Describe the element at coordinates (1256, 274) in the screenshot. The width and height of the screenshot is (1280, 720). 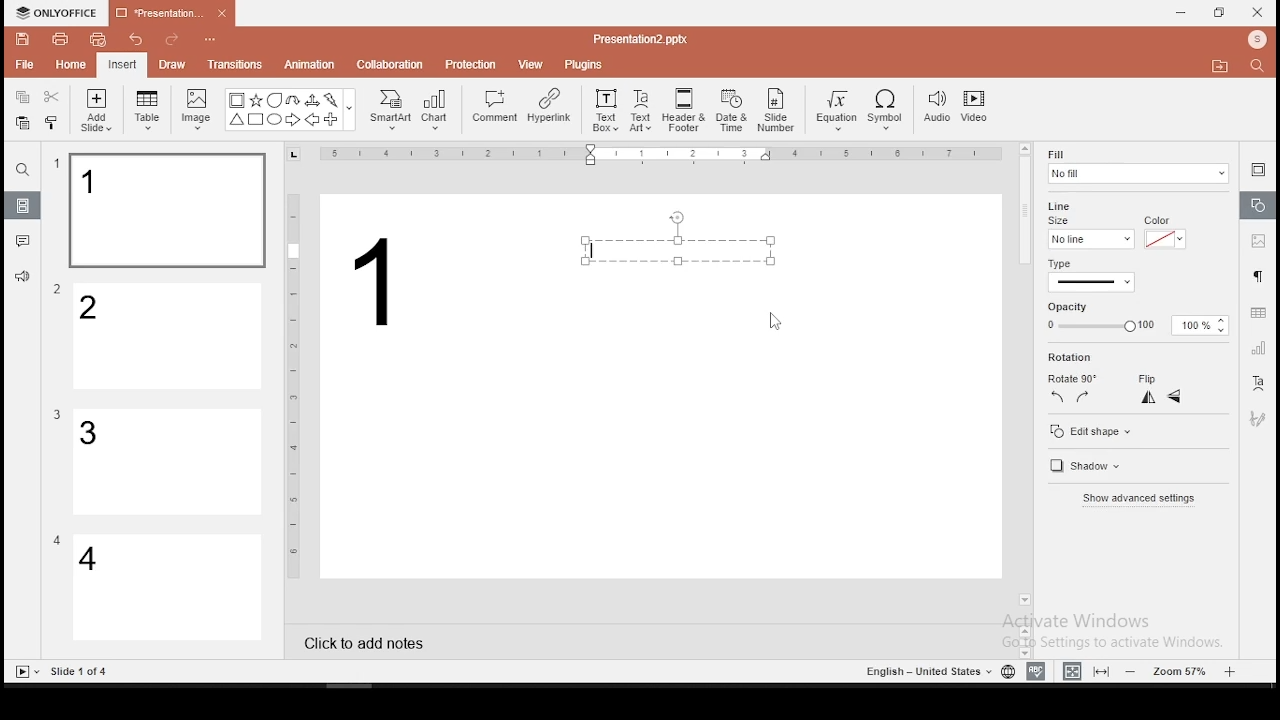
I see `paragraph settings` at that location.